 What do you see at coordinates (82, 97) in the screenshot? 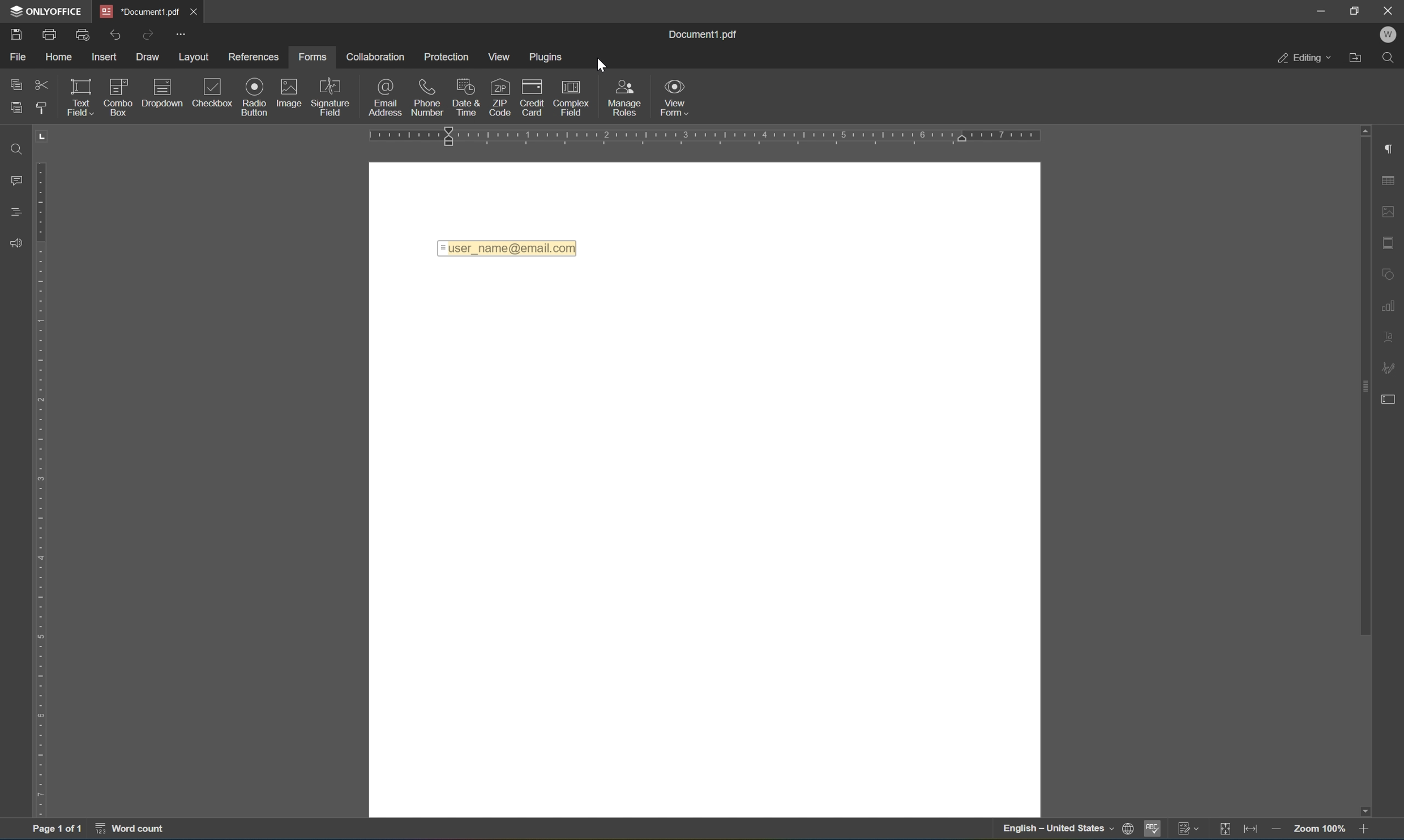
I see `text field` at bounding box center [82, 97].